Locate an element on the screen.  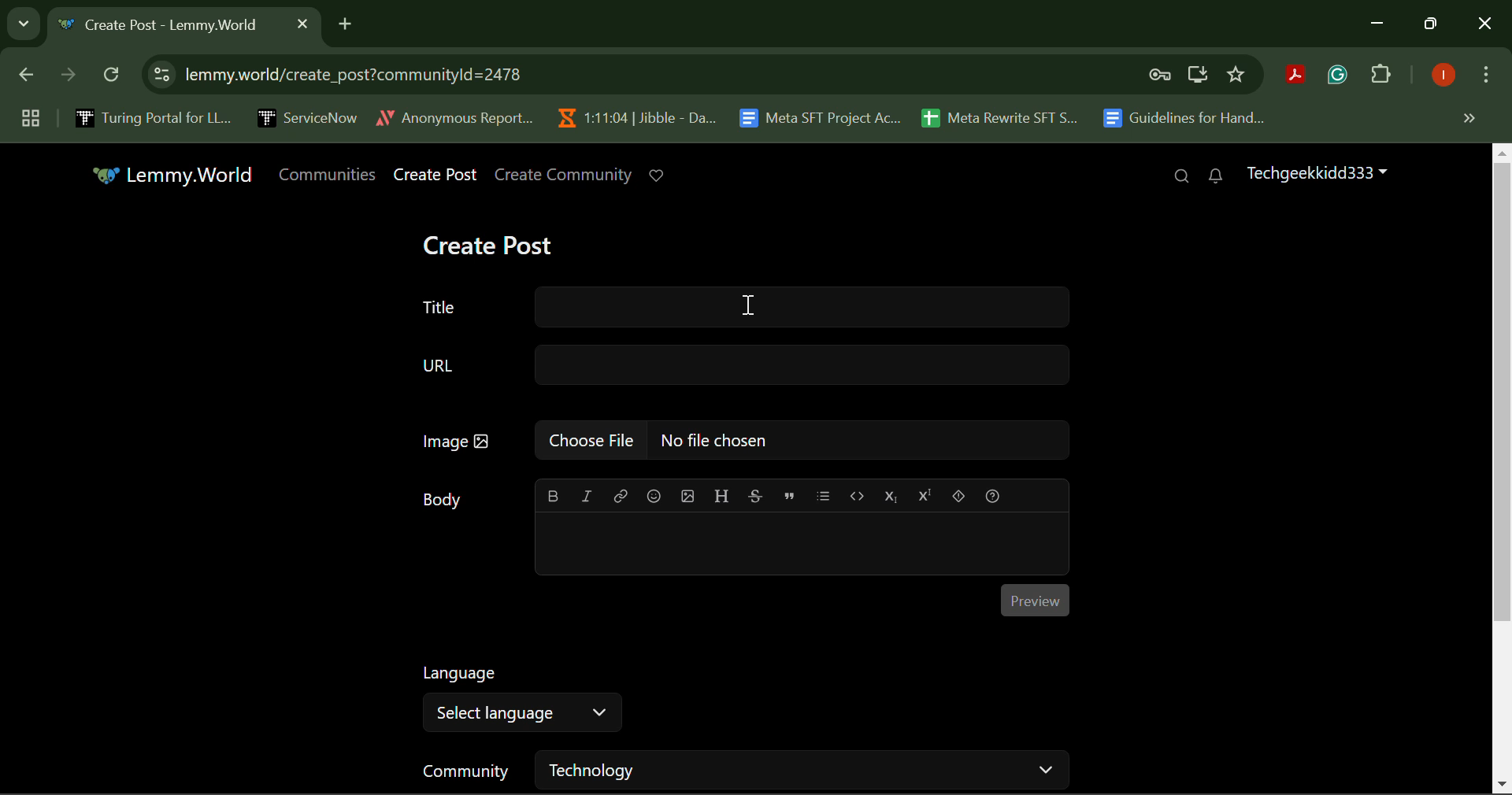
Install Desktop Application is located at coordinates (1197, 76).